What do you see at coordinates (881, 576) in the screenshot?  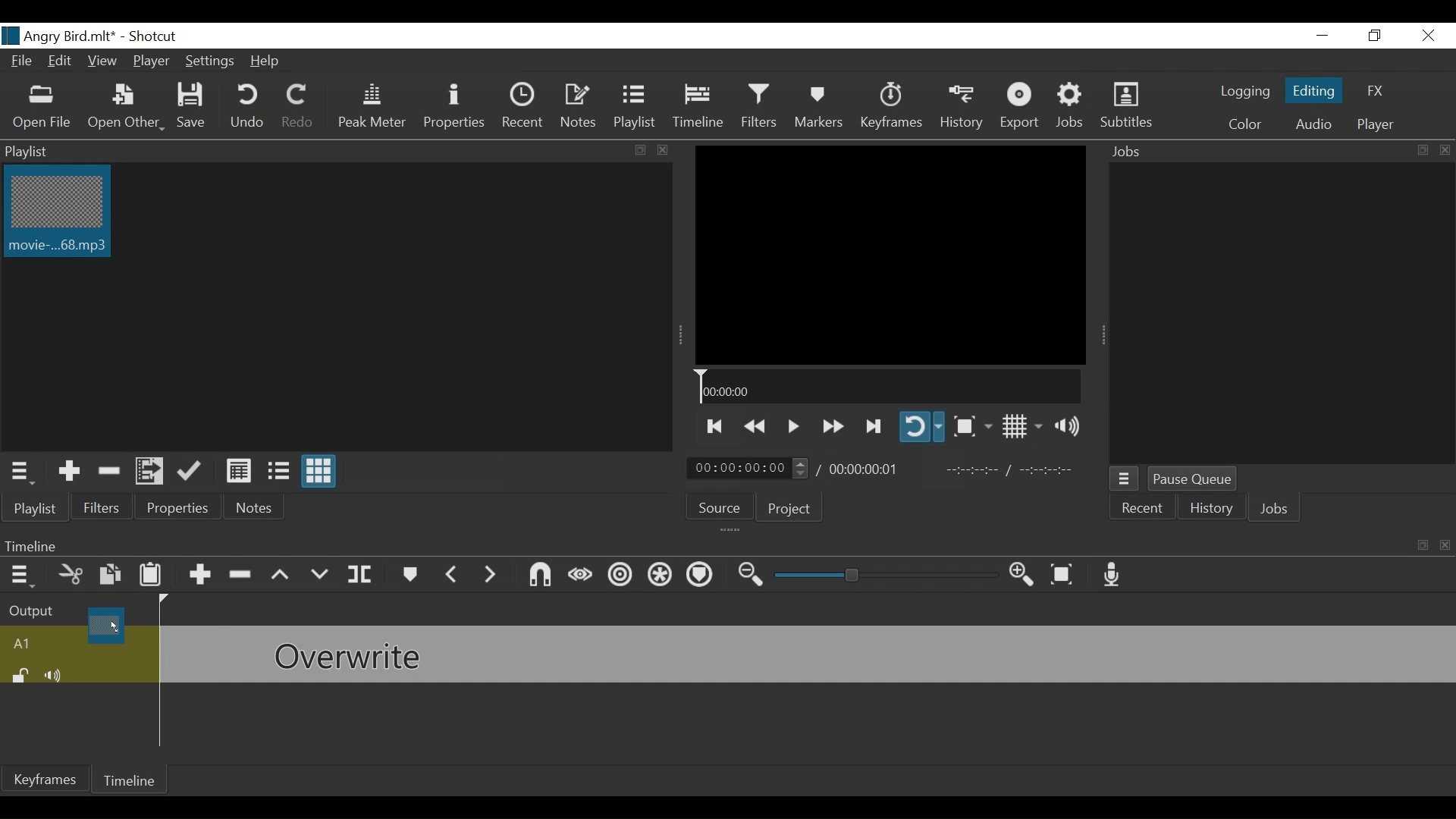 I see `Zoom slider` at bounding box center [881, 576].